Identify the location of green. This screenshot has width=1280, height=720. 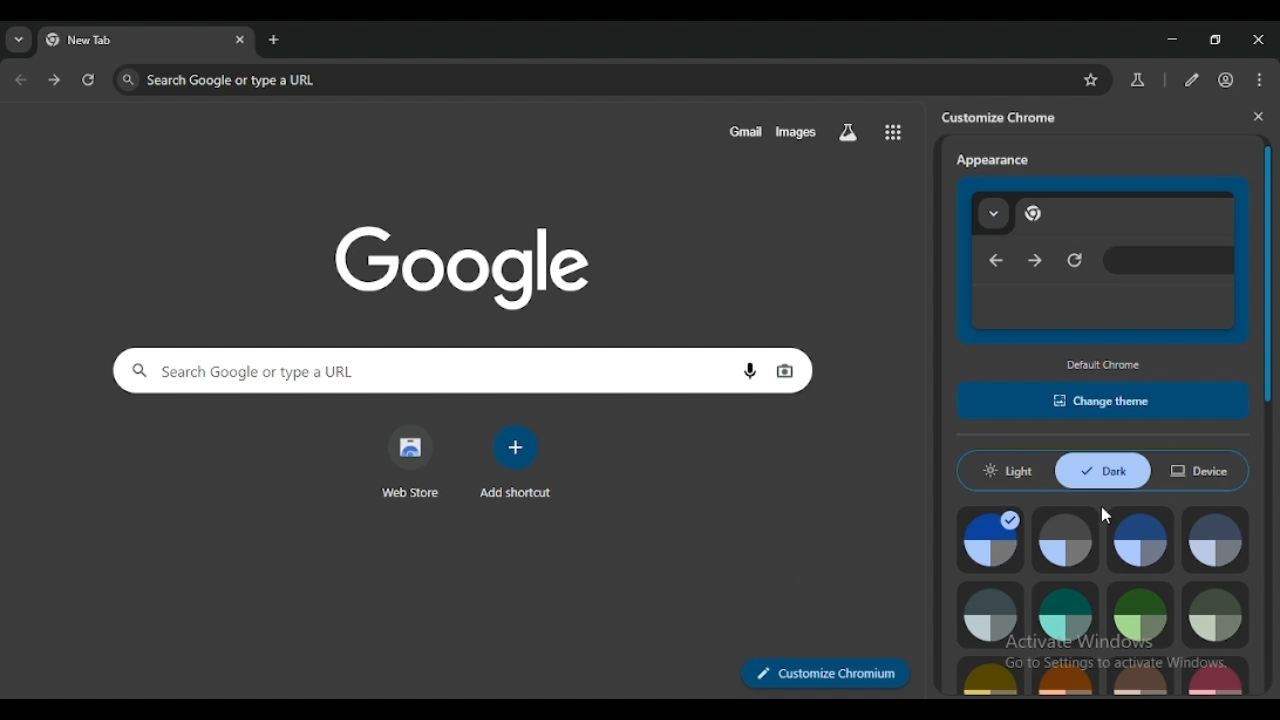
(1139, 615).